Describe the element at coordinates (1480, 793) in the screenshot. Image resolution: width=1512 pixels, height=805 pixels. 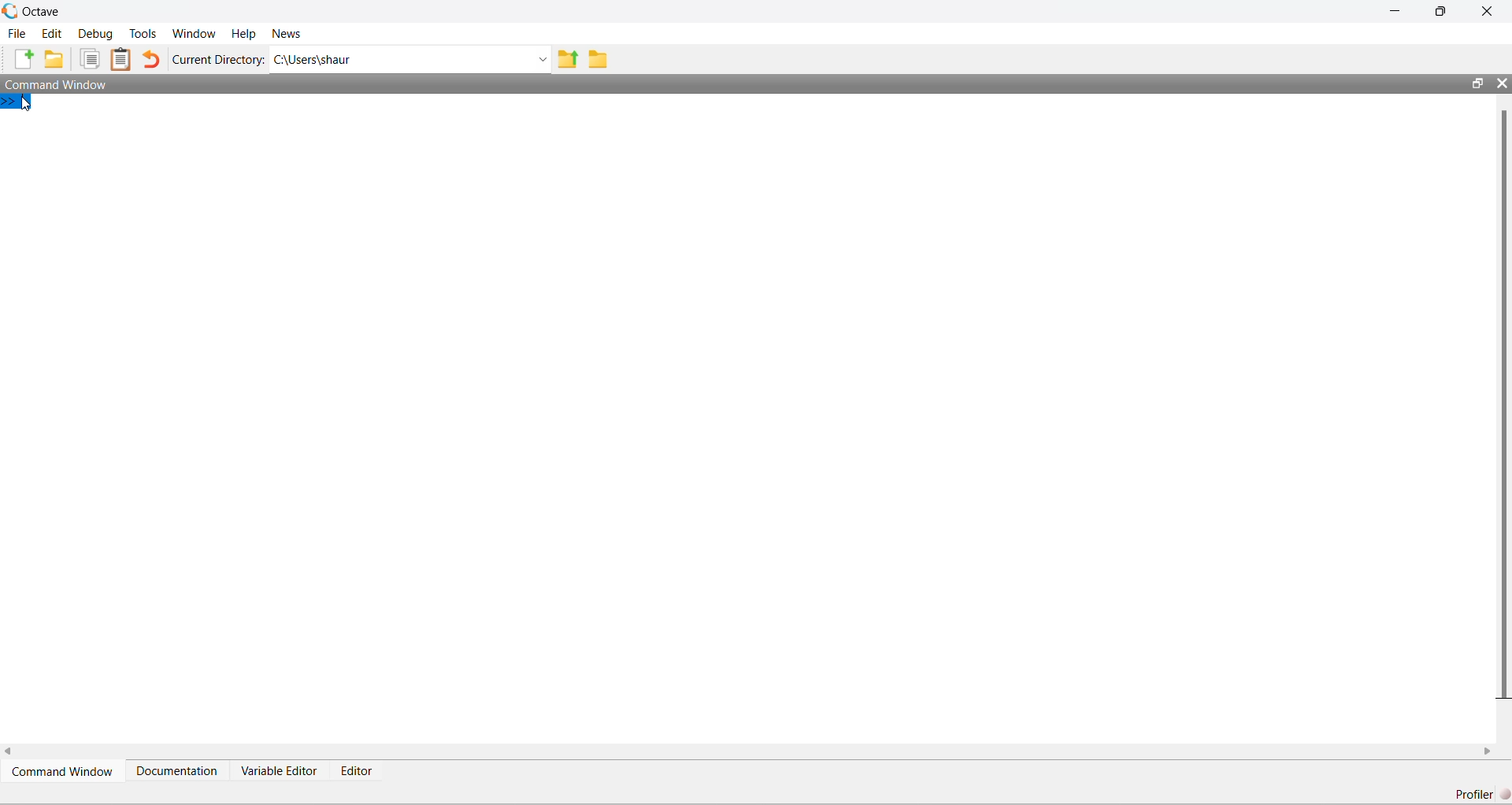
I see `Profiler` at that location.